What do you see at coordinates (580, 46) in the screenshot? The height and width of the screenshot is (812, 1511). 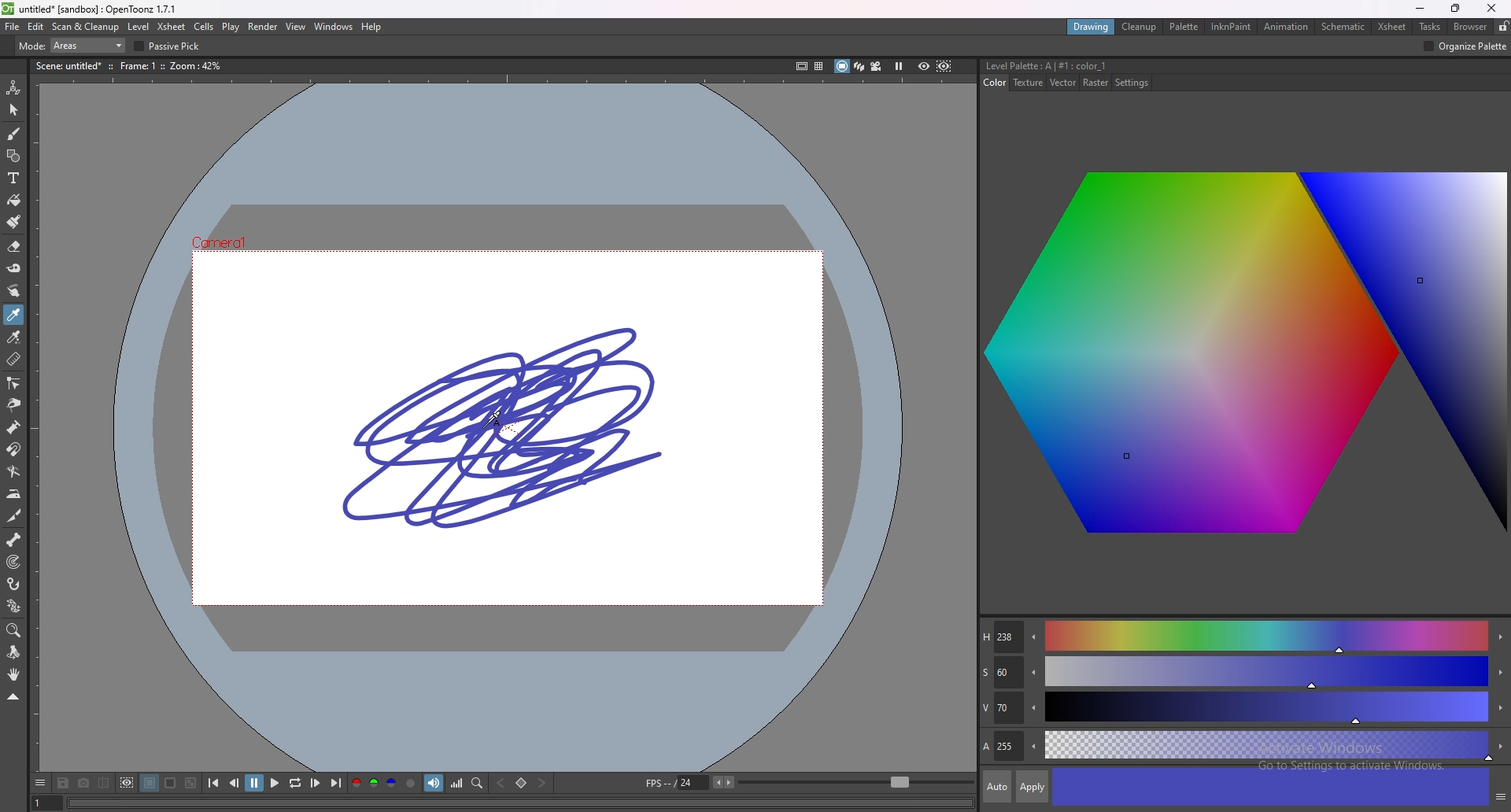 I see `horizontal` at bounding box center [580, 46].